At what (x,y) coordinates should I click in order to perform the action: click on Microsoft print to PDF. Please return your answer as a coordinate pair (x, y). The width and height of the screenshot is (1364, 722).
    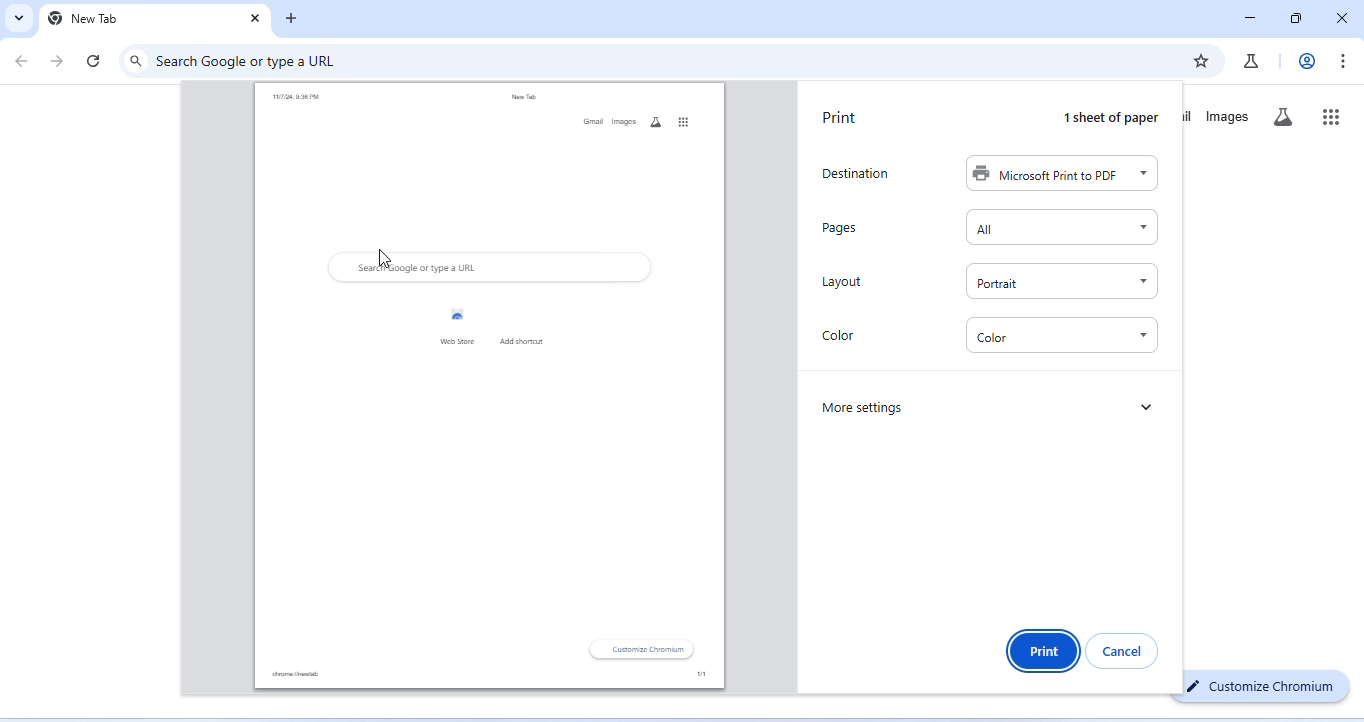
    Looking at the image, I should click on (1061, 175).